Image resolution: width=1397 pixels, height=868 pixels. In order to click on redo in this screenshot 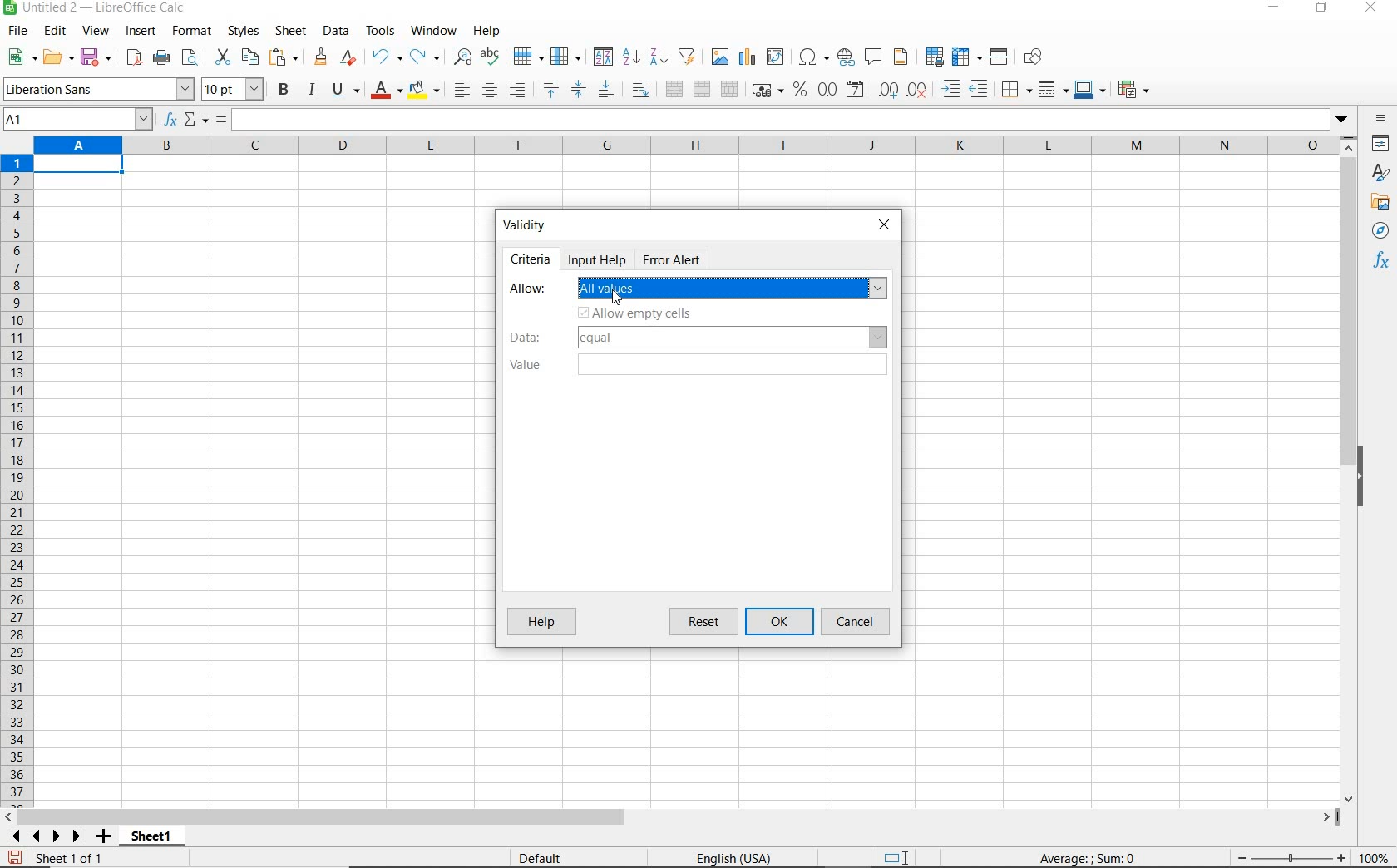, I will do `click(424, 57)`.